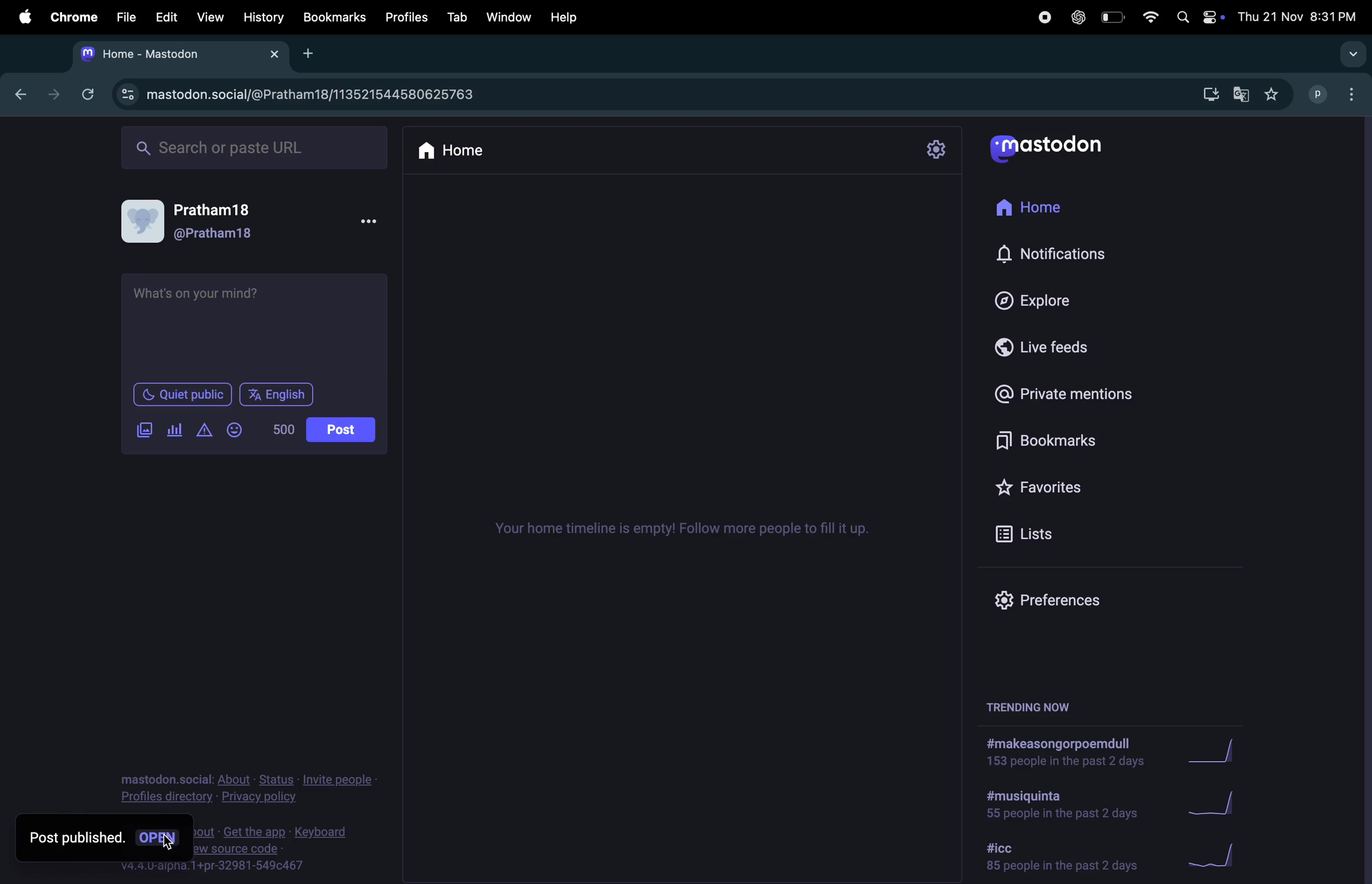 The width and height of the screenshot is (1372, 884). What do you see at coordinates (482, 153) in the screenshot?
I see `home` at bounding box center [482, 153].